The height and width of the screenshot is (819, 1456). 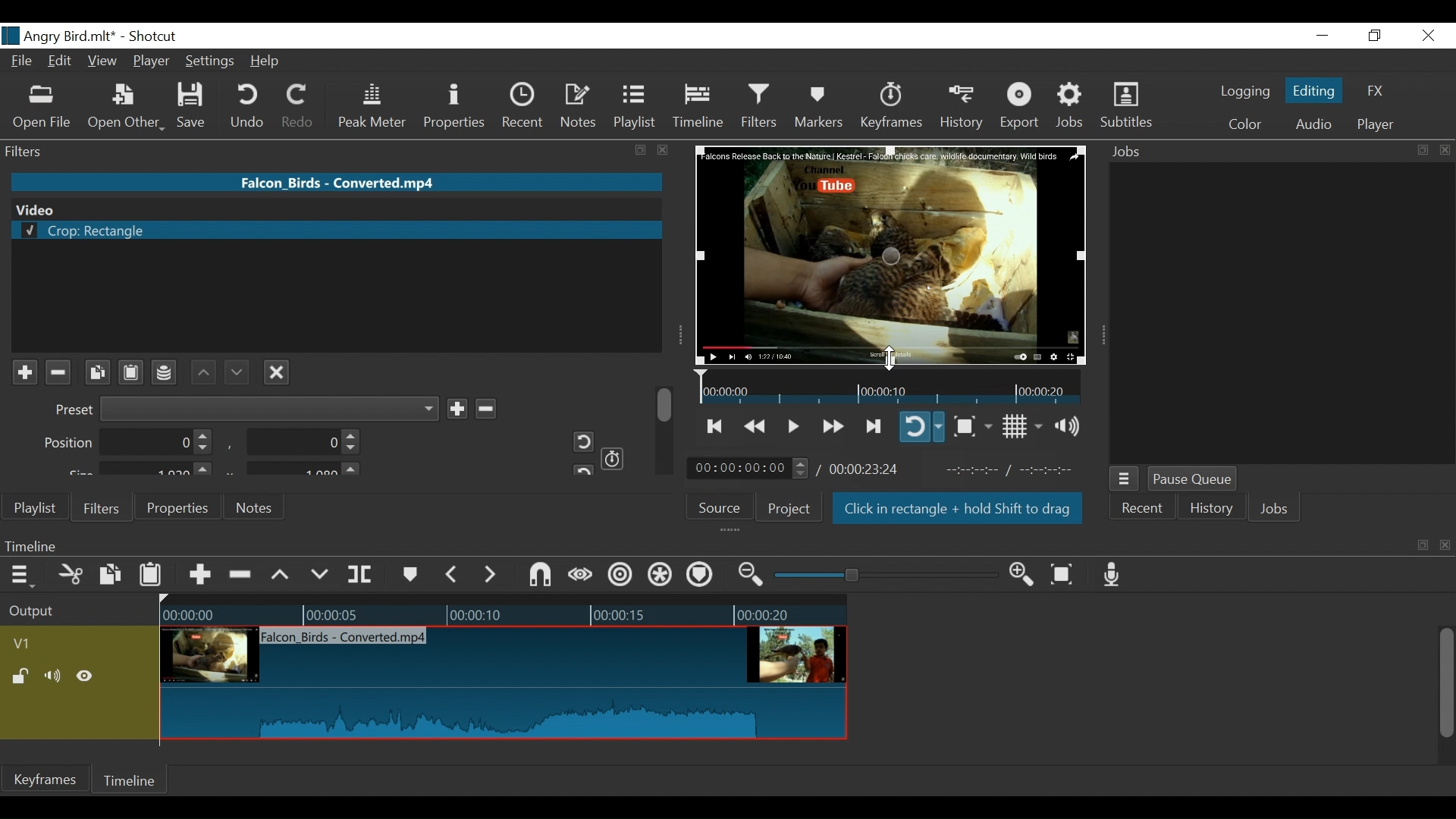 What do you see at coordinates (890, 358) in the screenshot?
I see `cursor` at bounding box center [890, 358].